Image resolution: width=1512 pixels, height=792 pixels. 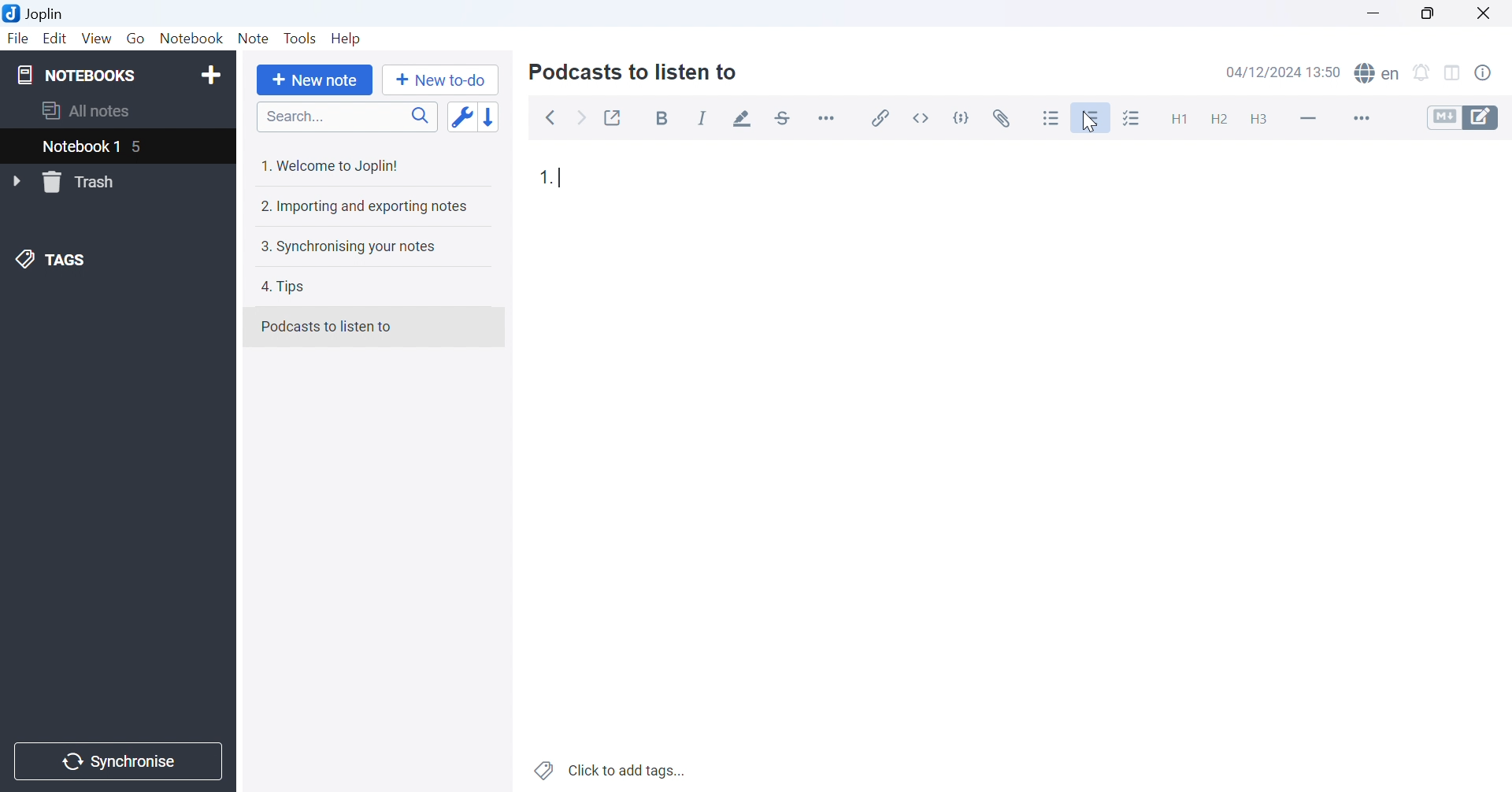 What do you see at coordinates (1453, 73) in the screenshot?
I see `Toggle editor layout` at bounding box center [1453, 73].